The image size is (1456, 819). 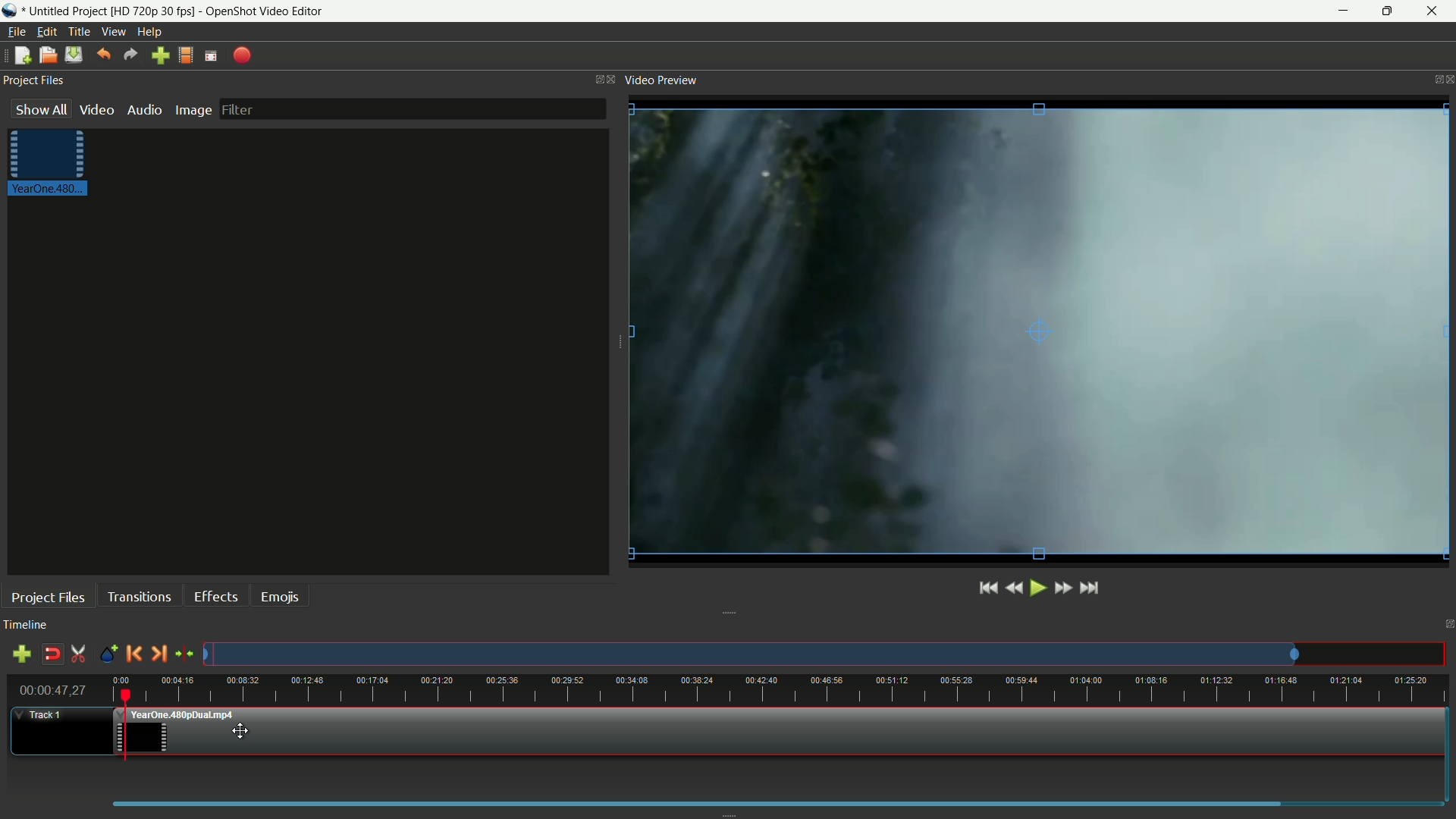 I want to click on close project files, so click(x=612, y=80).